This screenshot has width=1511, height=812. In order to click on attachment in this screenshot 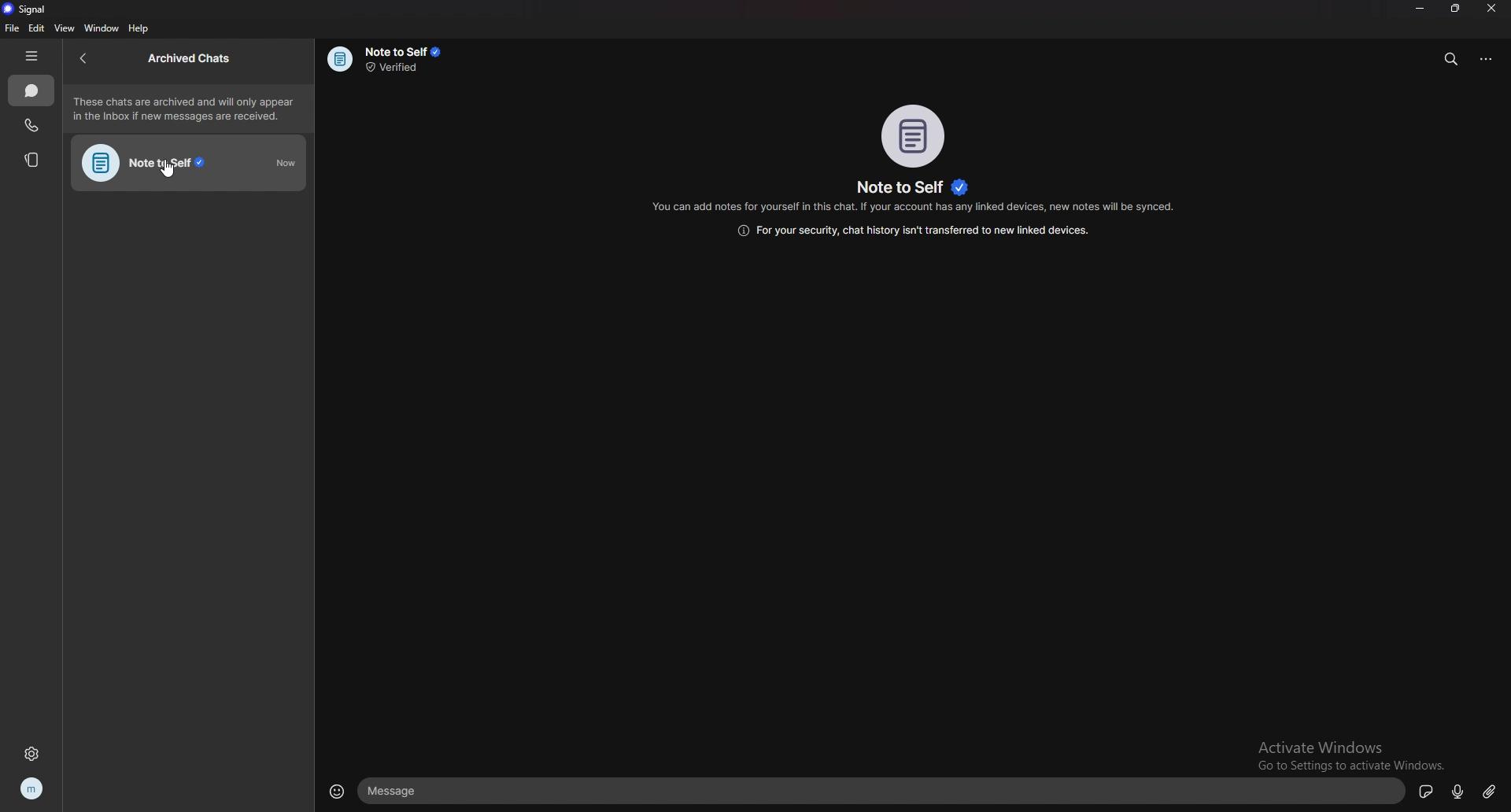, I will do `click(1489, 791)`.